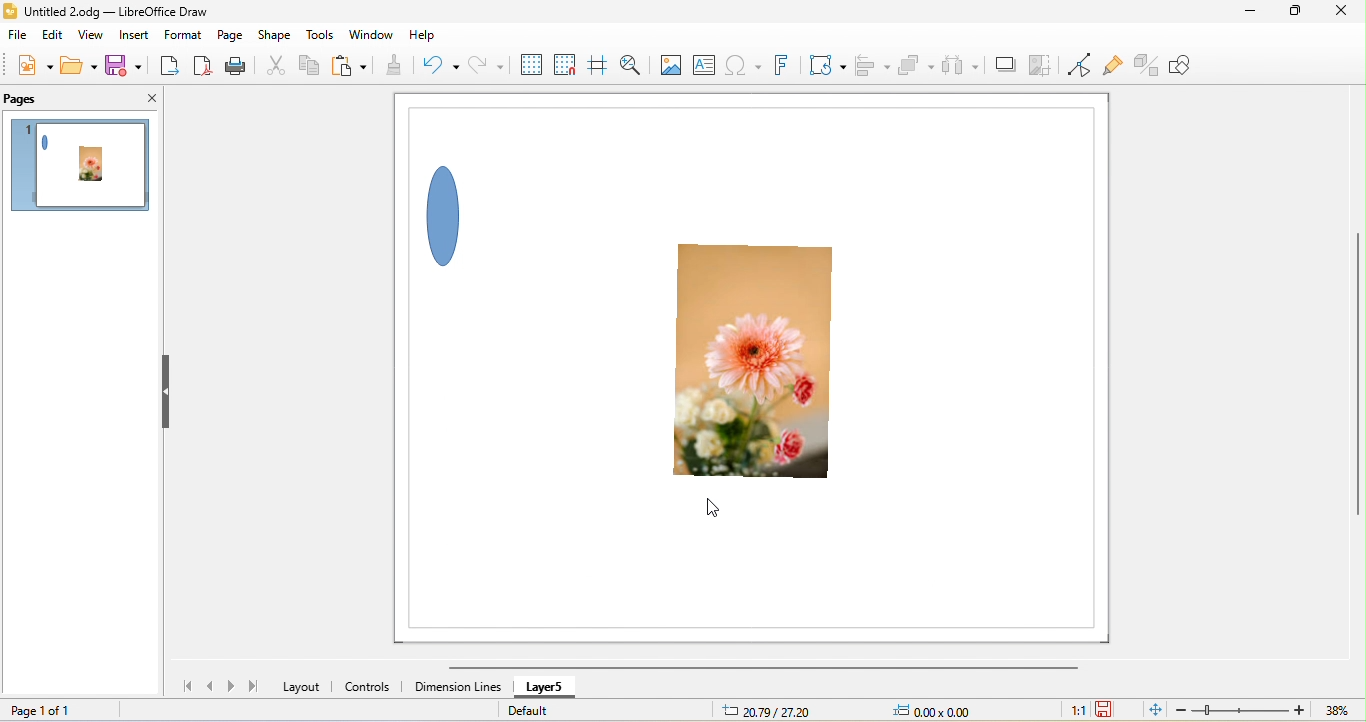 The image size is (1366, 722). What do you see at coordinates (767, 710) in the screenshot?
I see `10.98/38.41` at bounding box center [767, 710].